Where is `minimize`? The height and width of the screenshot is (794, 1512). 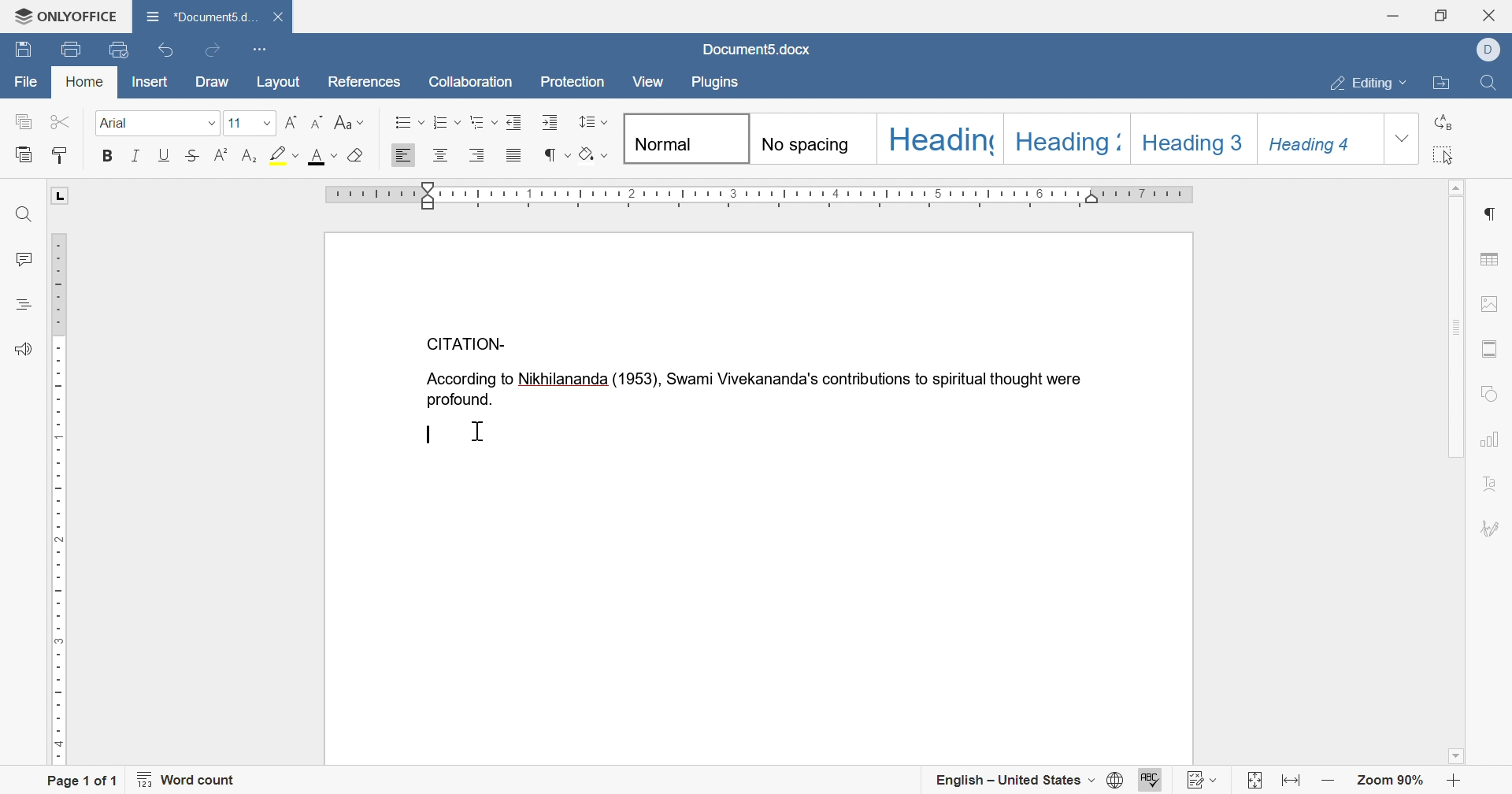 minimize is located at coordinates (1392, 13).